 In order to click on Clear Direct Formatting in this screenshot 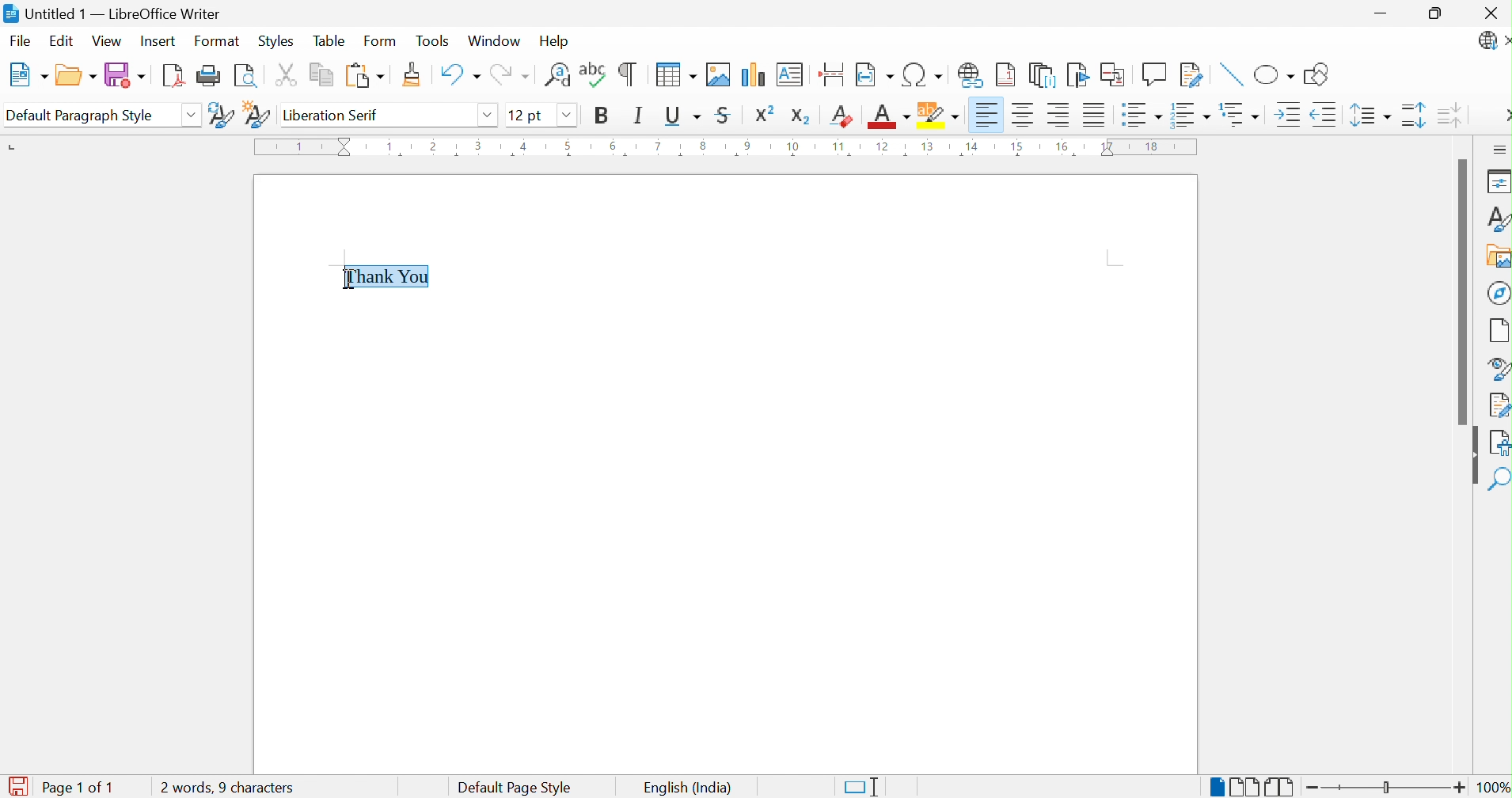, I will do `click(843, 117)`.